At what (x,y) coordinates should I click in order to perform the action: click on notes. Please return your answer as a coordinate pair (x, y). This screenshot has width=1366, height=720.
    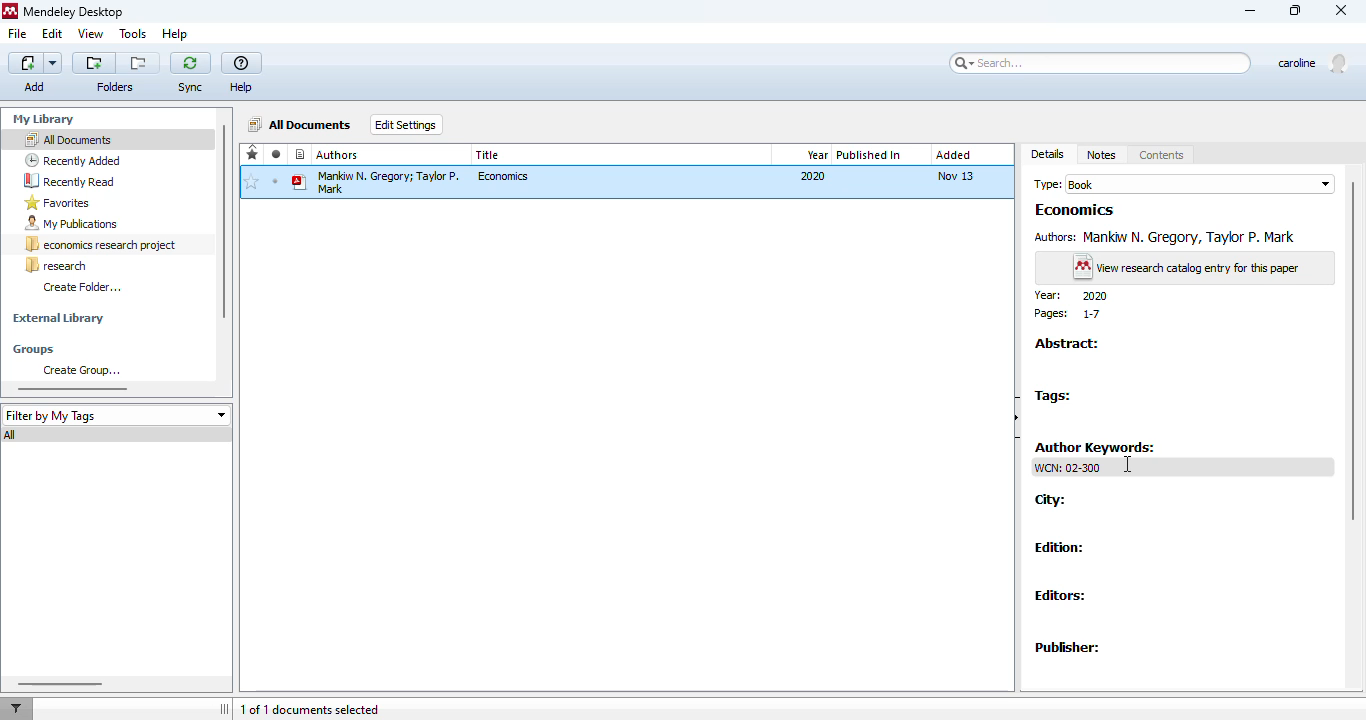
    Looking at the image, I should click on (1103, 155).